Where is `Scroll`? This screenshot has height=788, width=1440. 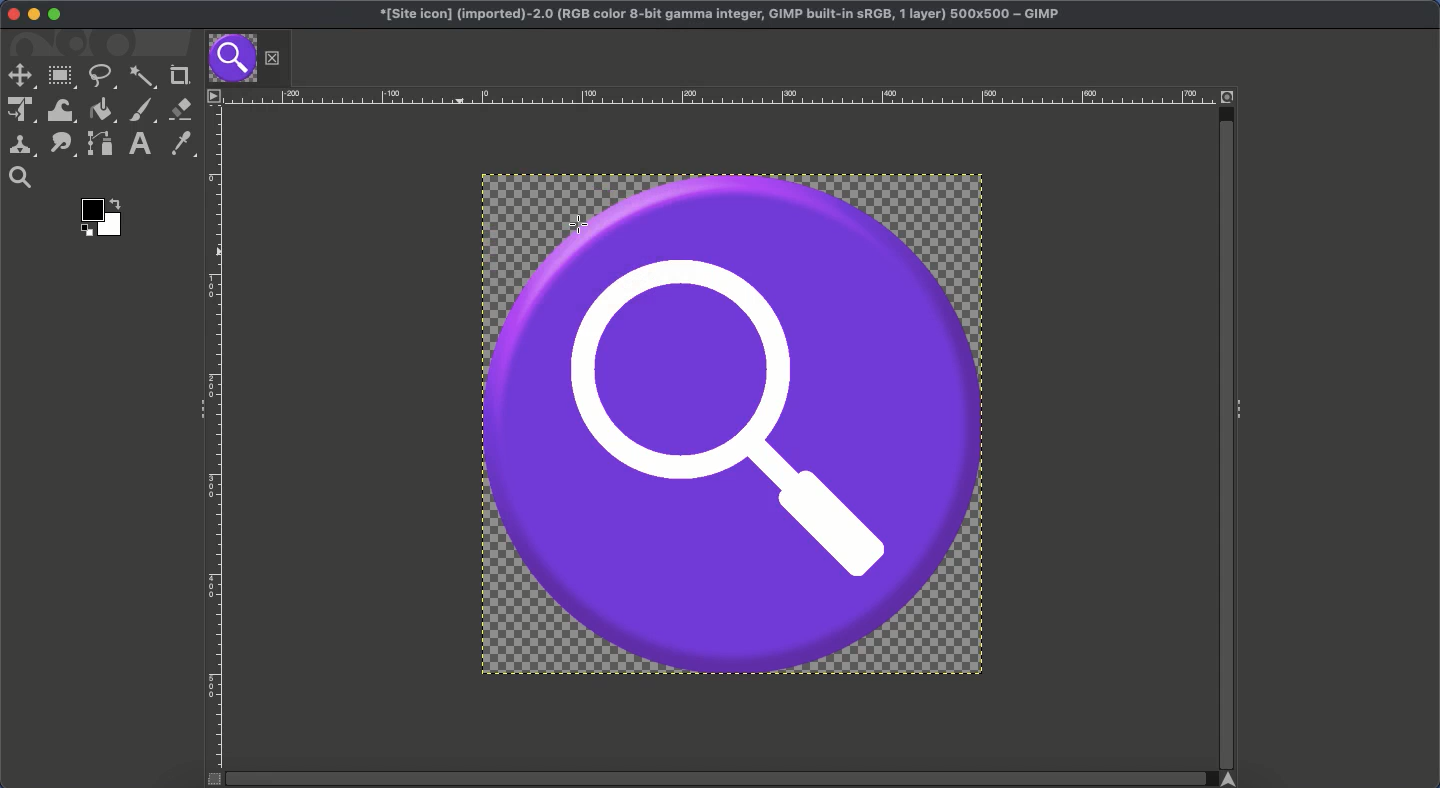
Scroll is located at coordinates (1225, 428).